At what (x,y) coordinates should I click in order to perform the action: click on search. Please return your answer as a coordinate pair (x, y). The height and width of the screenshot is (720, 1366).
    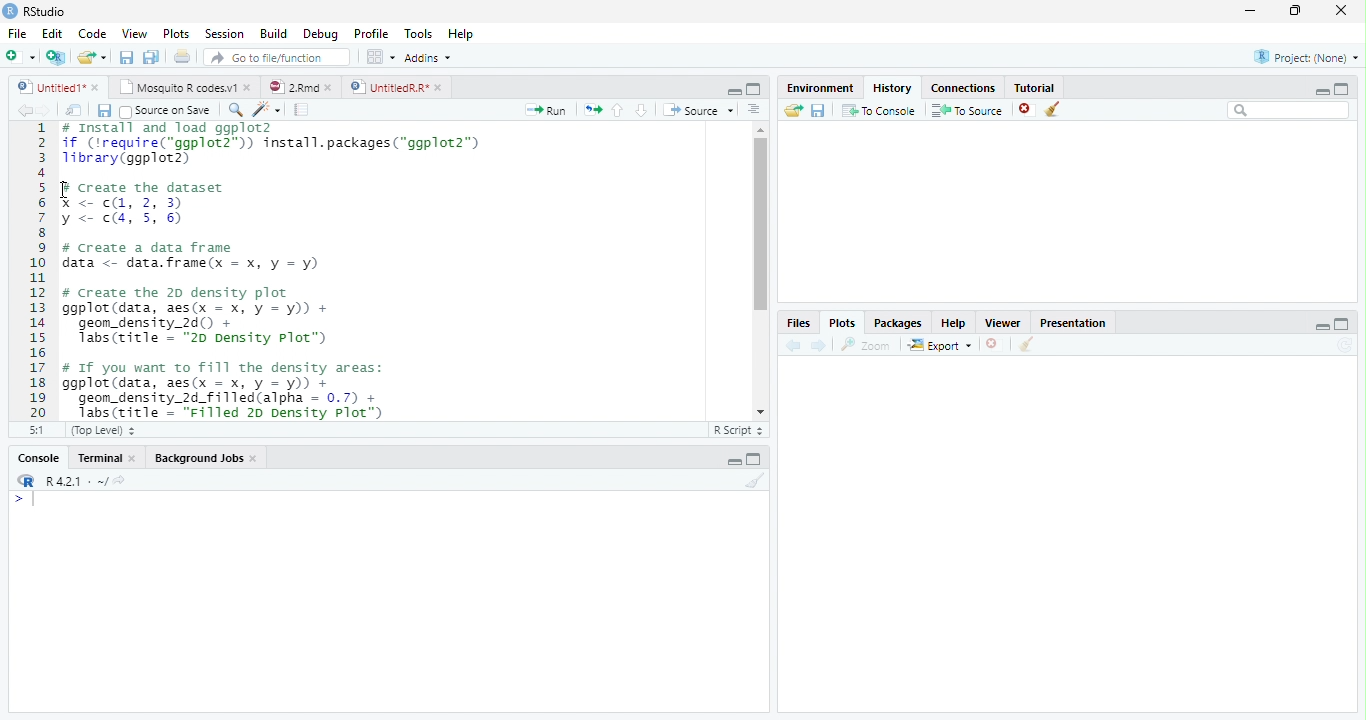
    Looking at the image, I should click on (232, 109).